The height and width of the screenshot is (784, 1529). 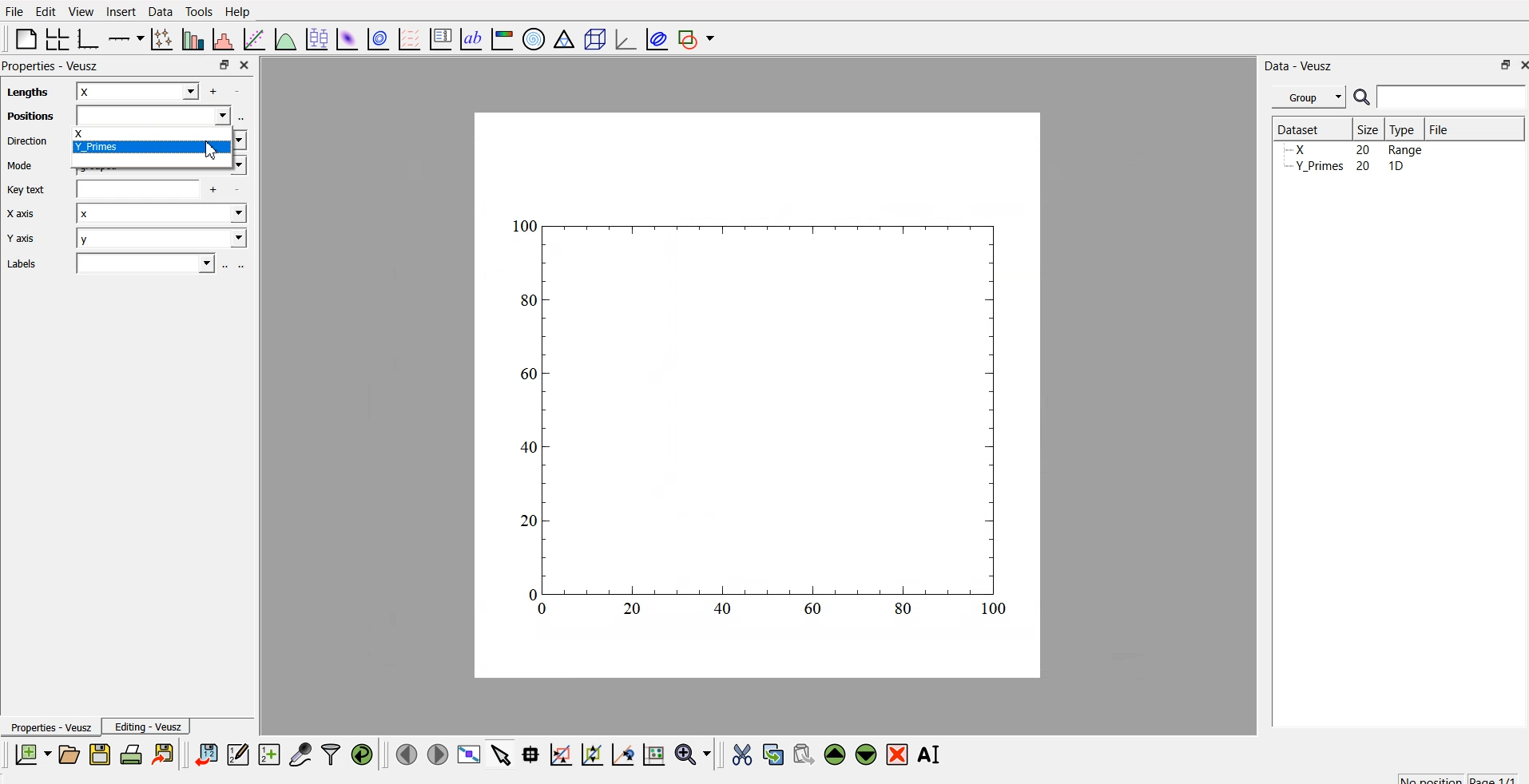 I want to click on read datapoint on graph, so click(x=529, y=754).